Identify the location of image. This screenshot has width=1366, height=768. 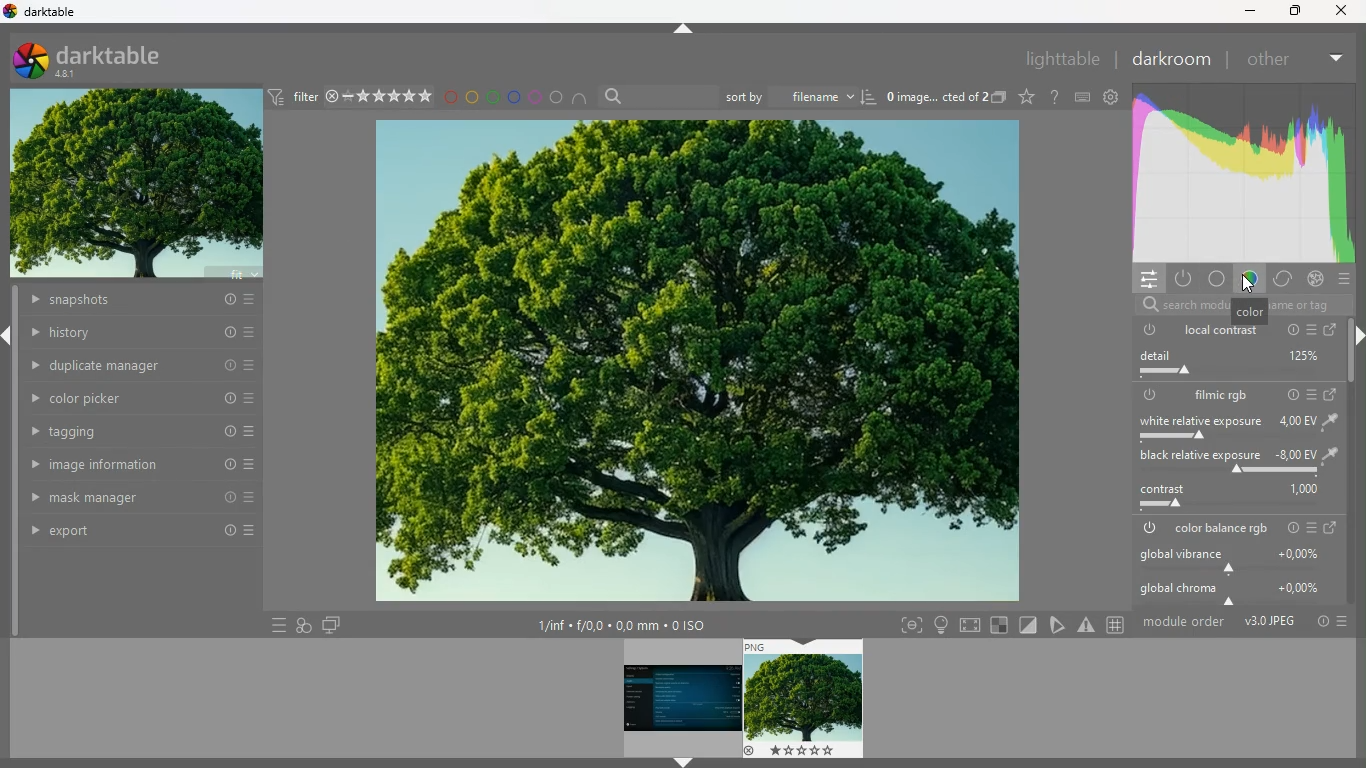
(805, 699).